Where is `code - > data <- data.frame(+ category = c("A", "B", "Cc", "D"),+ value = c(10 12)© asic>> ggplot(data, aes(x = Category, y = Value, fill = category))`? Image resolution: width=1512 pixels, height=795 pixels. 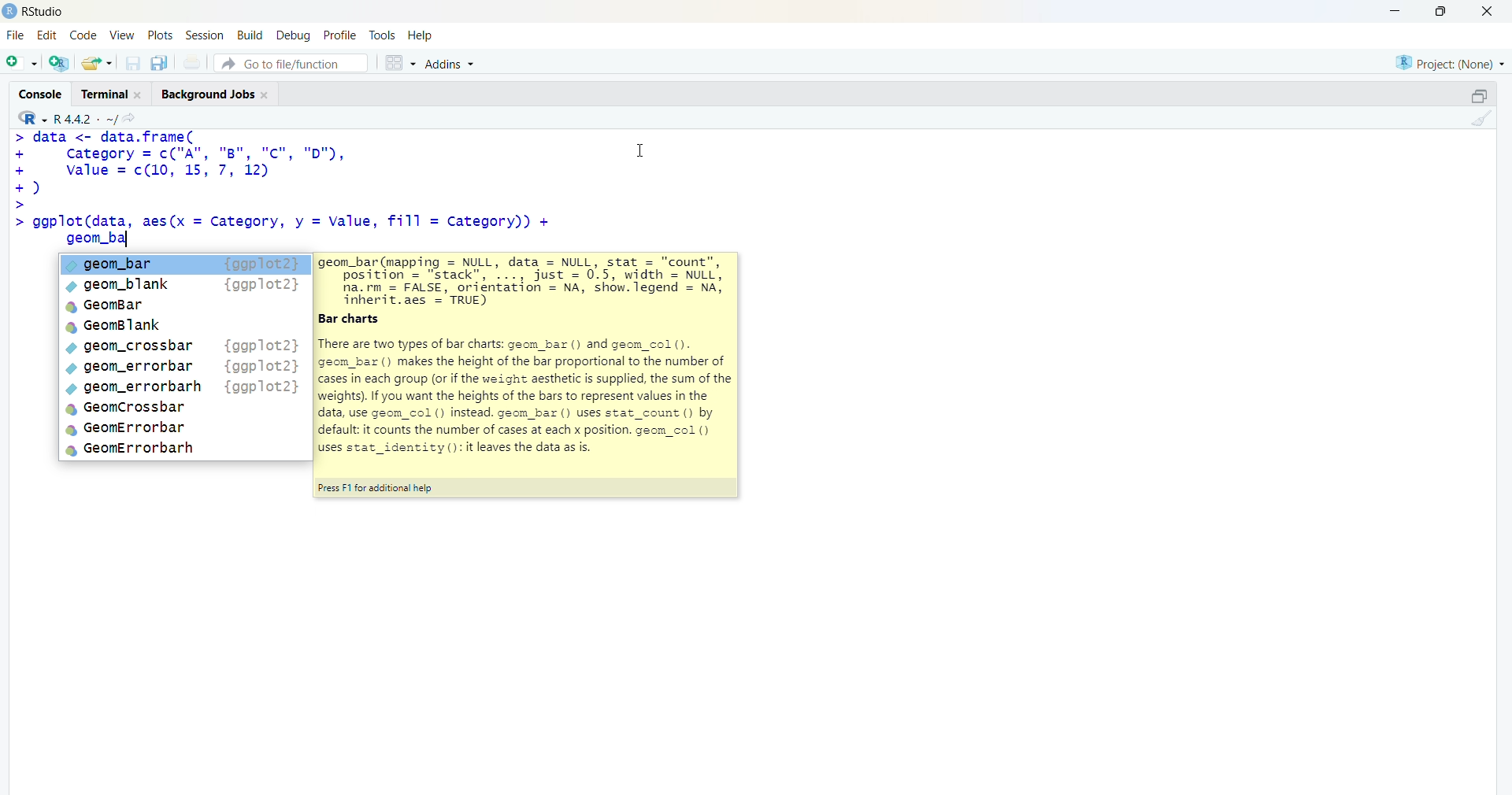
code - > data <- data.frame(+ category = c("A", "B", "Cc", "D"),+ value = c(10 12)© asic>> ggplot(data, aes(x = Category, y = Value, fill = category)) is located at coordinates (284, 188).